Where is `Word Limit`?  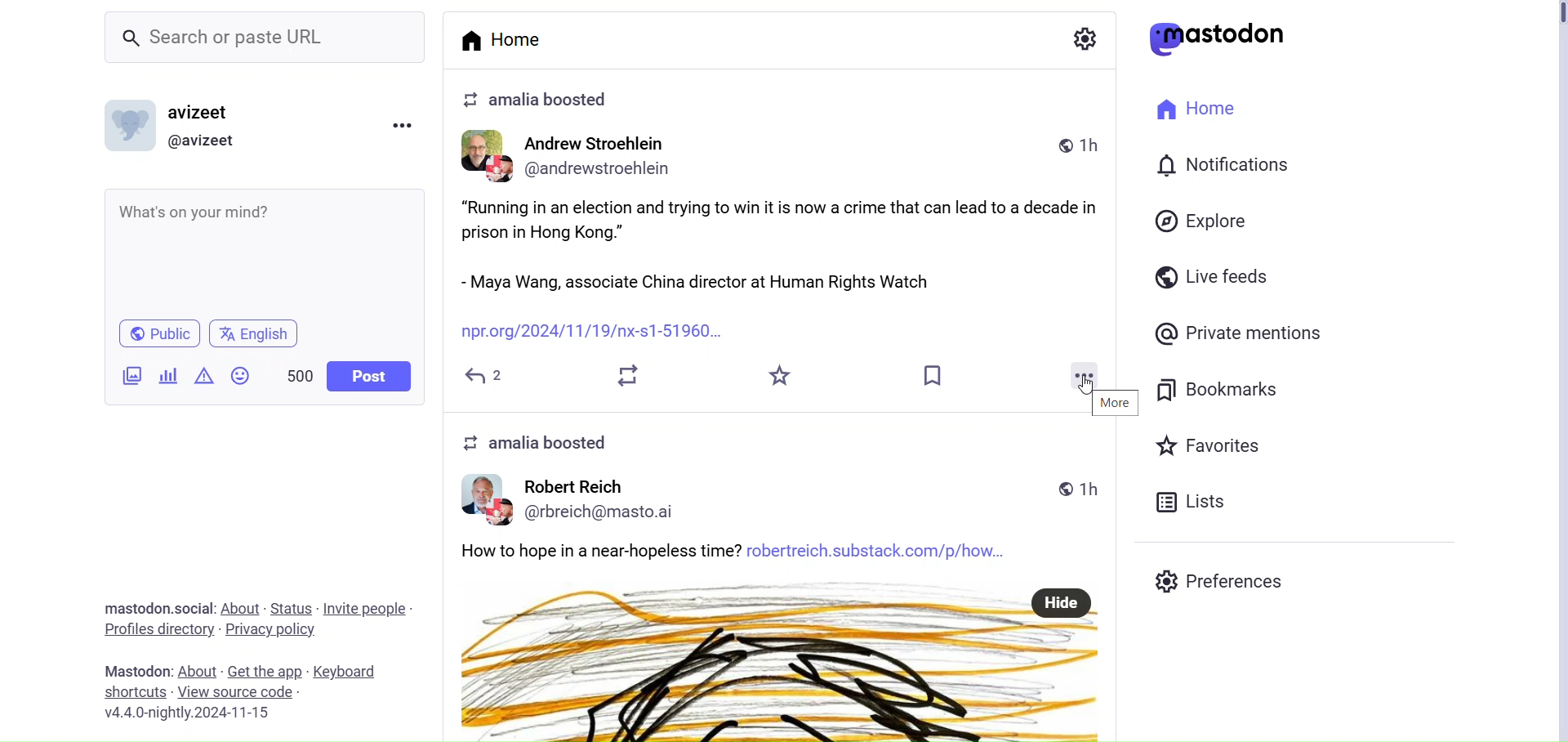 Word Limit is located at coordinates (301, 373).